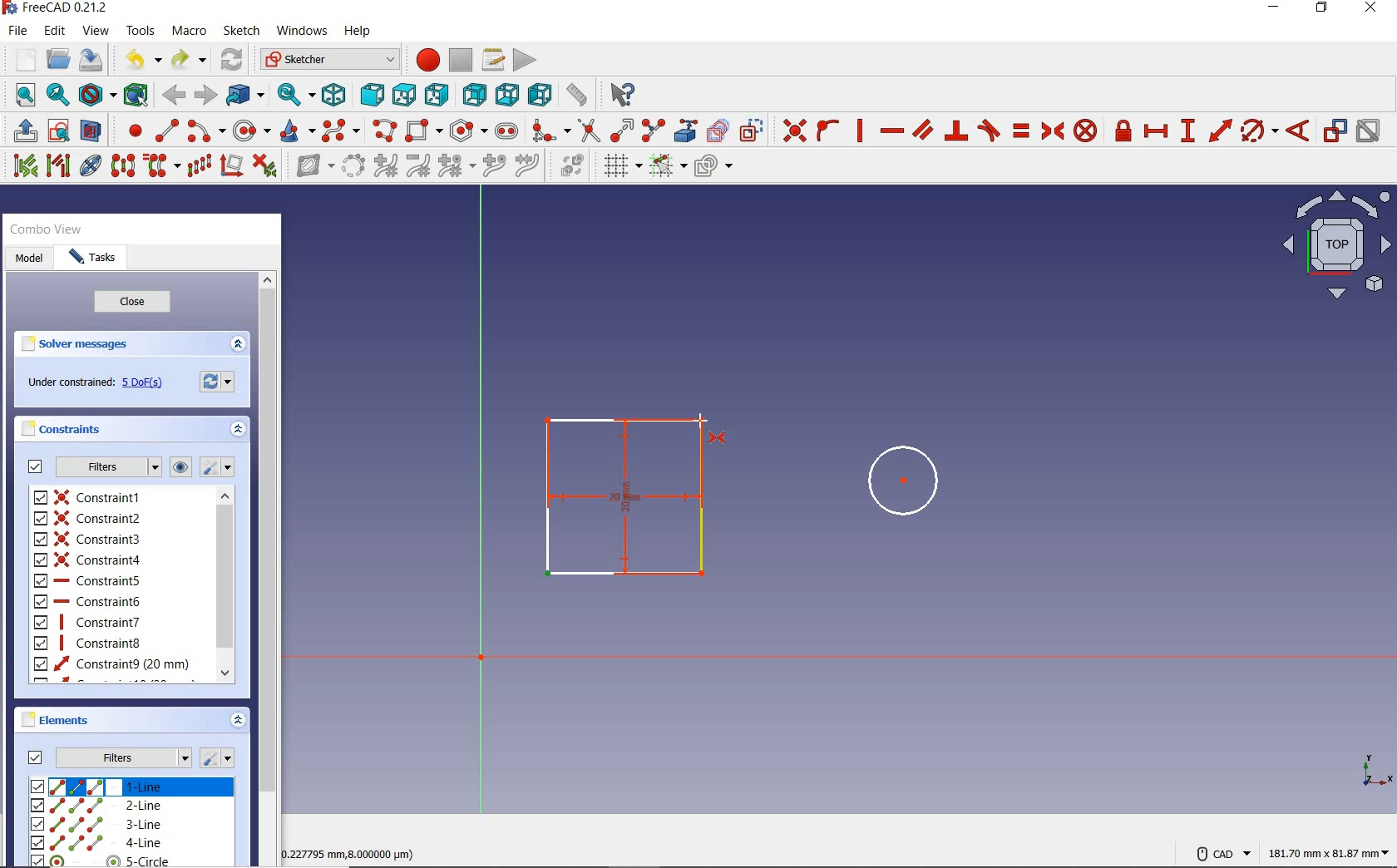 This screenshot has width=1397, height=868. Describe the element at coordinates (91, 168) in the screenshot. I see `show/hide internal geometry` at that location.